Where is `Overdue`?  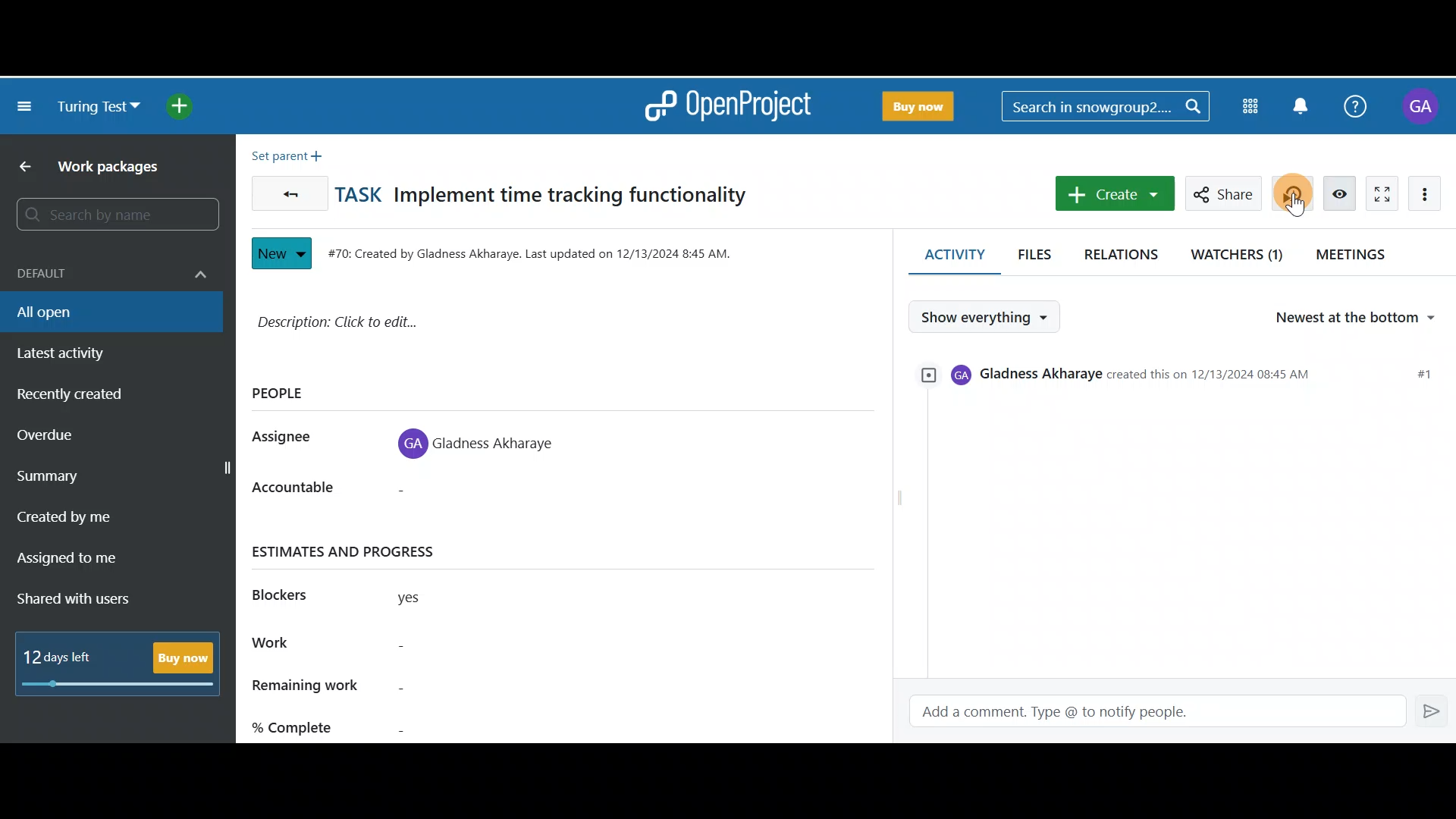
Overdue is located at coordinates (86, 440).